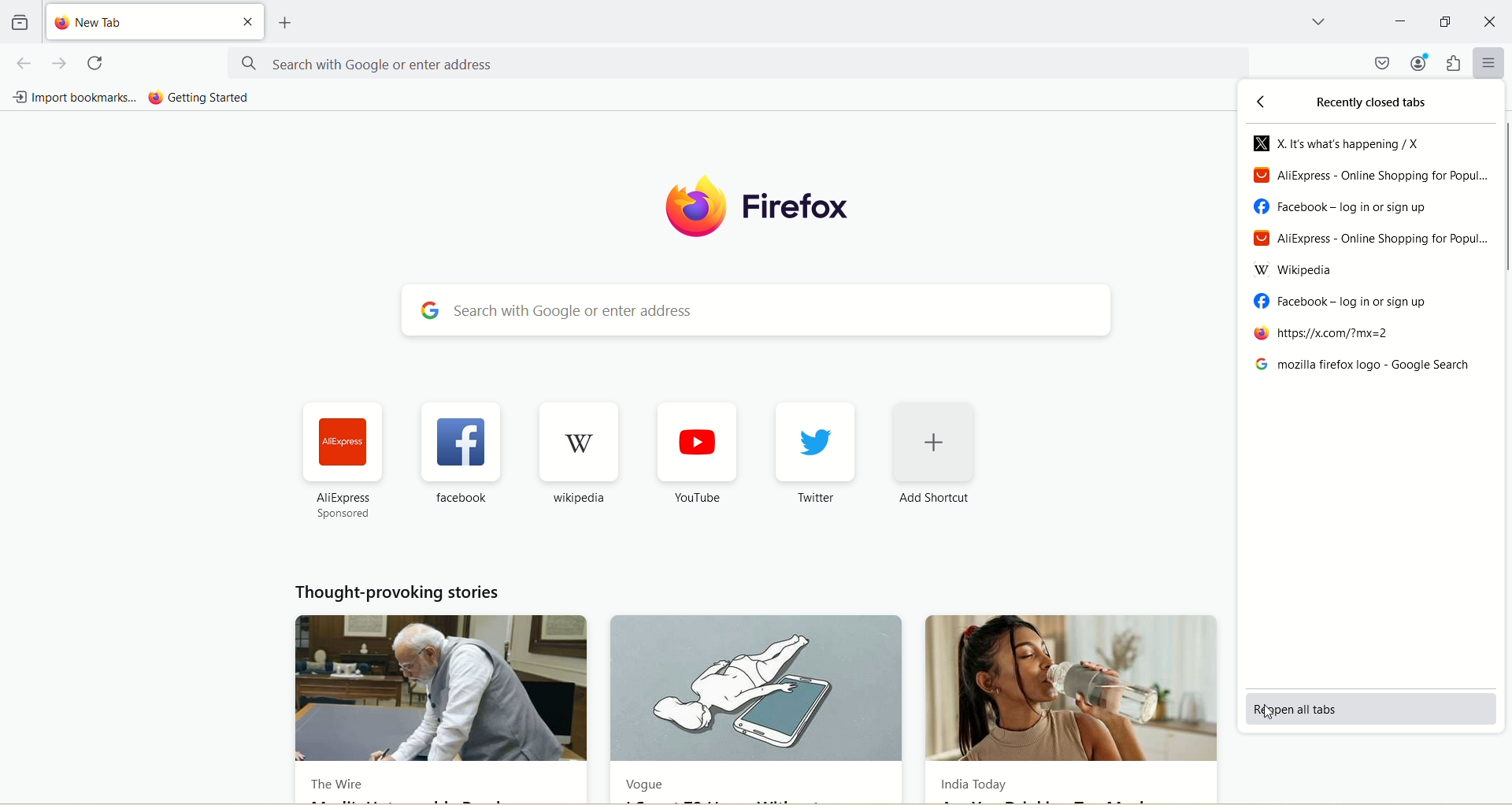 The height and width of the screenshot is (805, 1512). I want to click on facebook, so click(460, 443).